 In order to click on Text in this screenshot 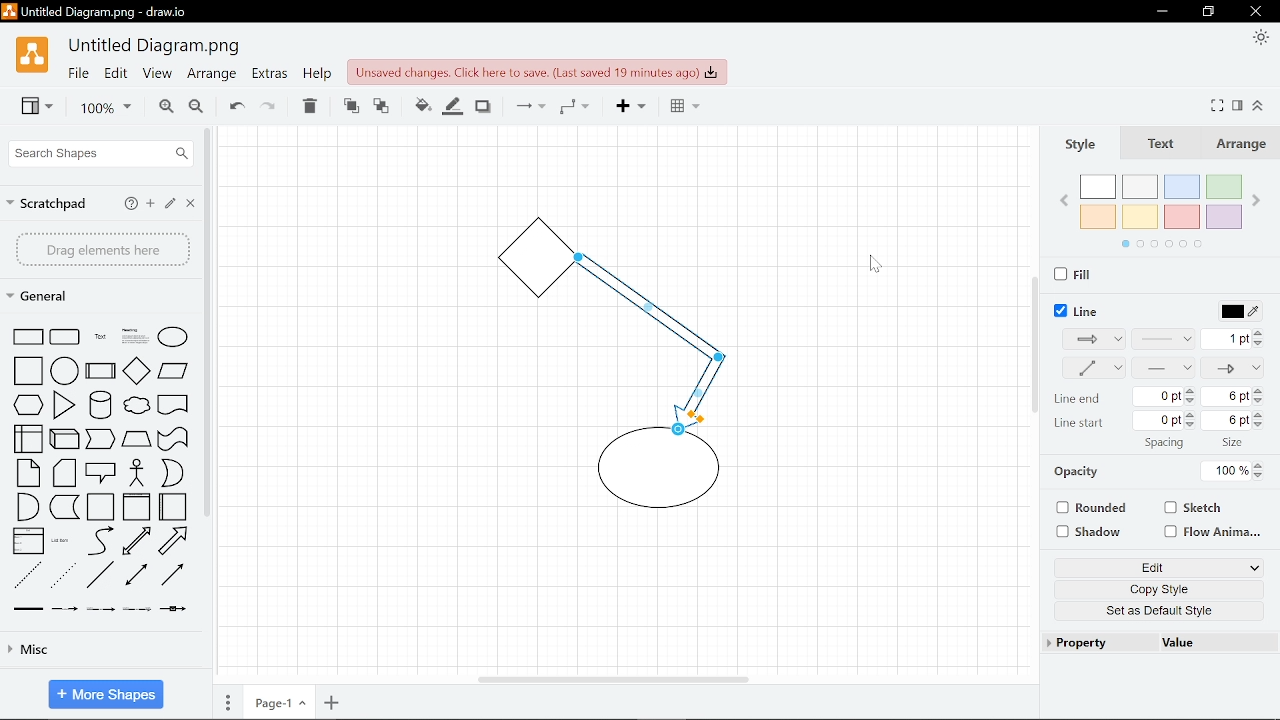, I will do `click(1165, 146)`.